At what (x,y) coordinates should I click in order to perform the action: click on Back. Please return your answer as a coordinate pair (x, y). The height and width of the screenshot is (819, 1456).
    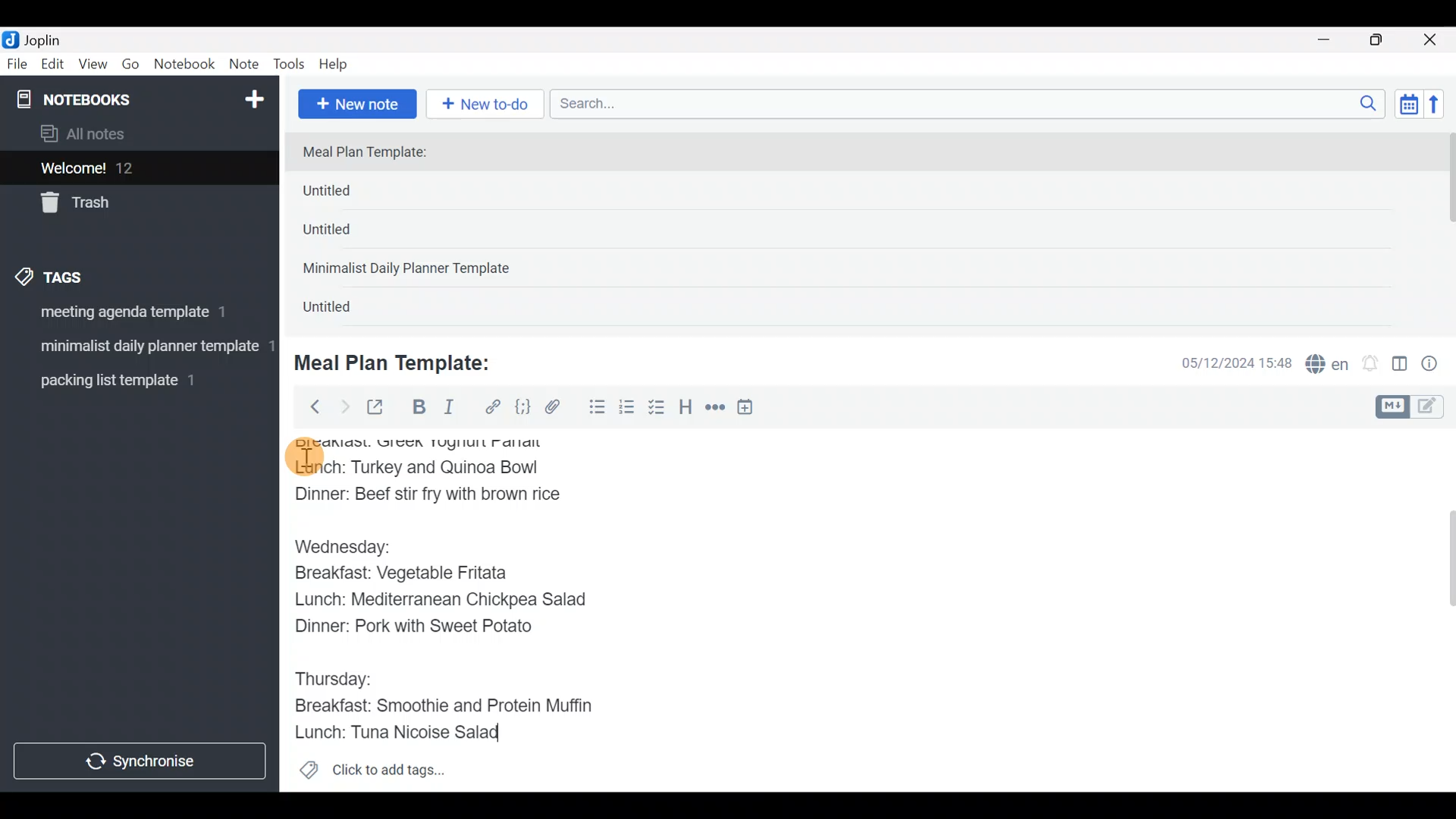
    Looking at the image, I should click on (309, 406).